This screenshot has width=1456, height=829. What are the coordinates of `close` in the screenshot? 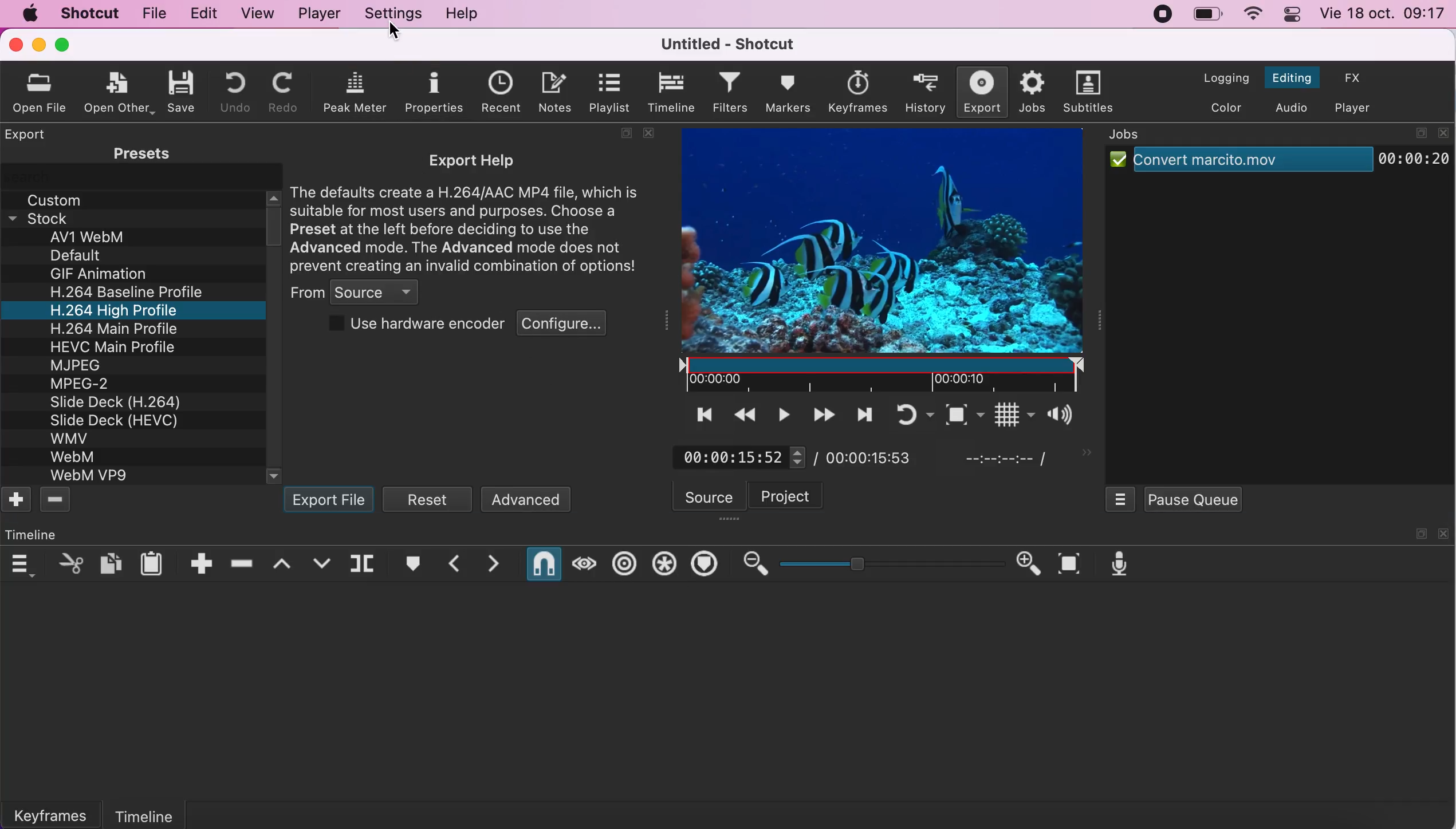 It's located at (1443, 133).